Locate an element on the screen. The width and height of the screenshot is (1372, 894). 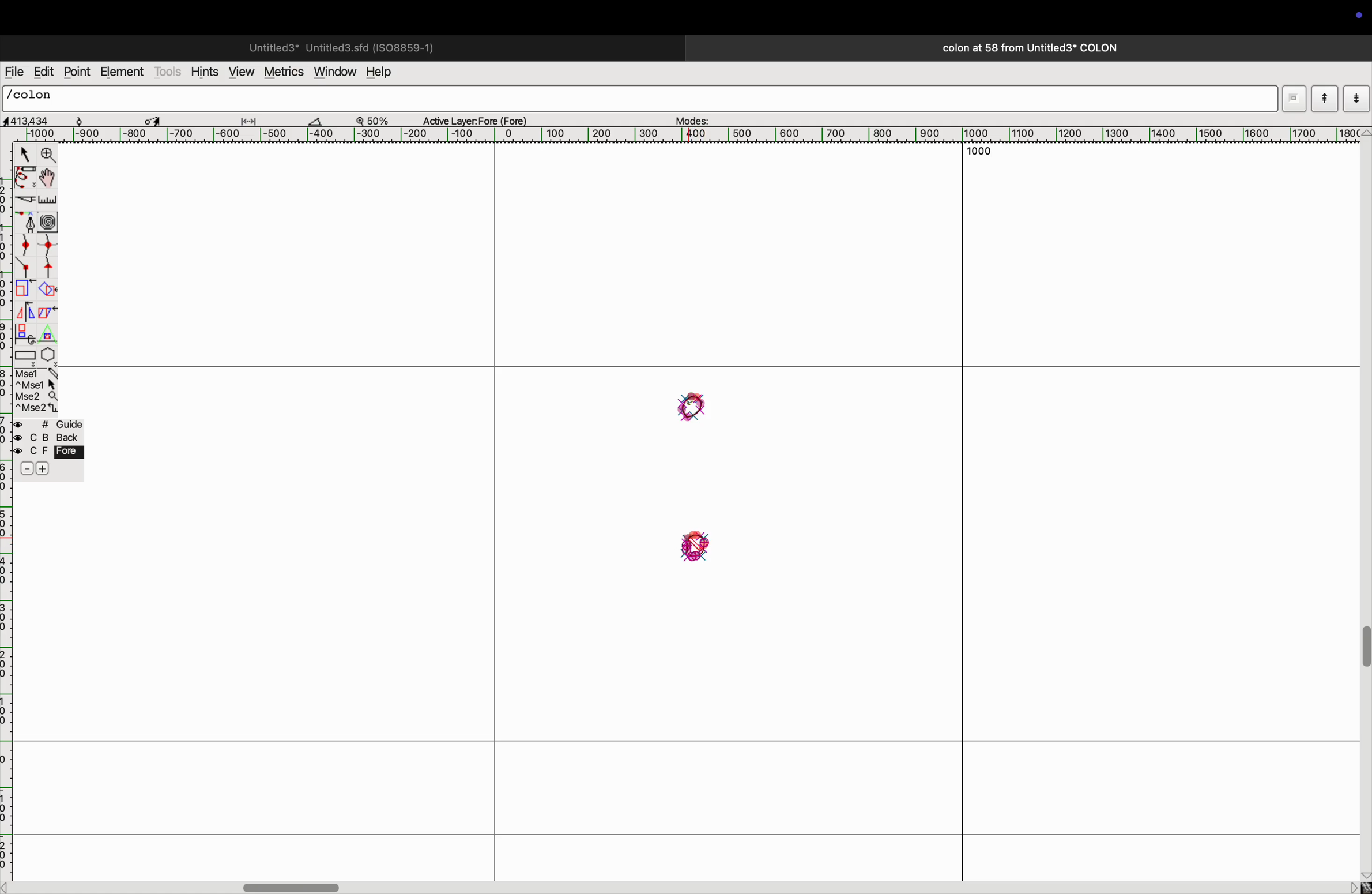
window is located at coordinates (333, 73).